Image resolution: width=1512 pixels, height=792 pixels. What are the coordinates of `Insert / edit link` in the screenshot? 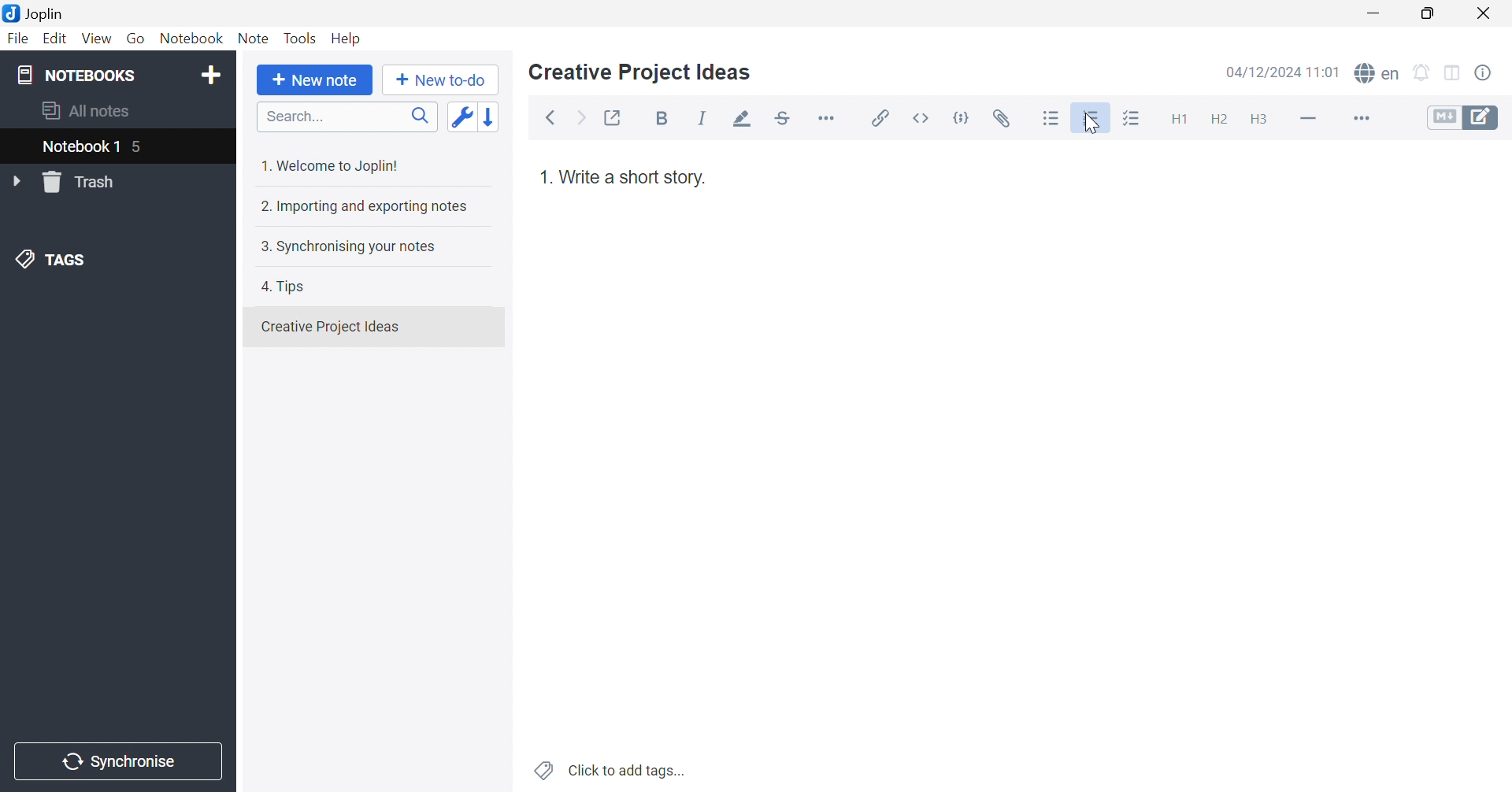 It's located at (881, 117).